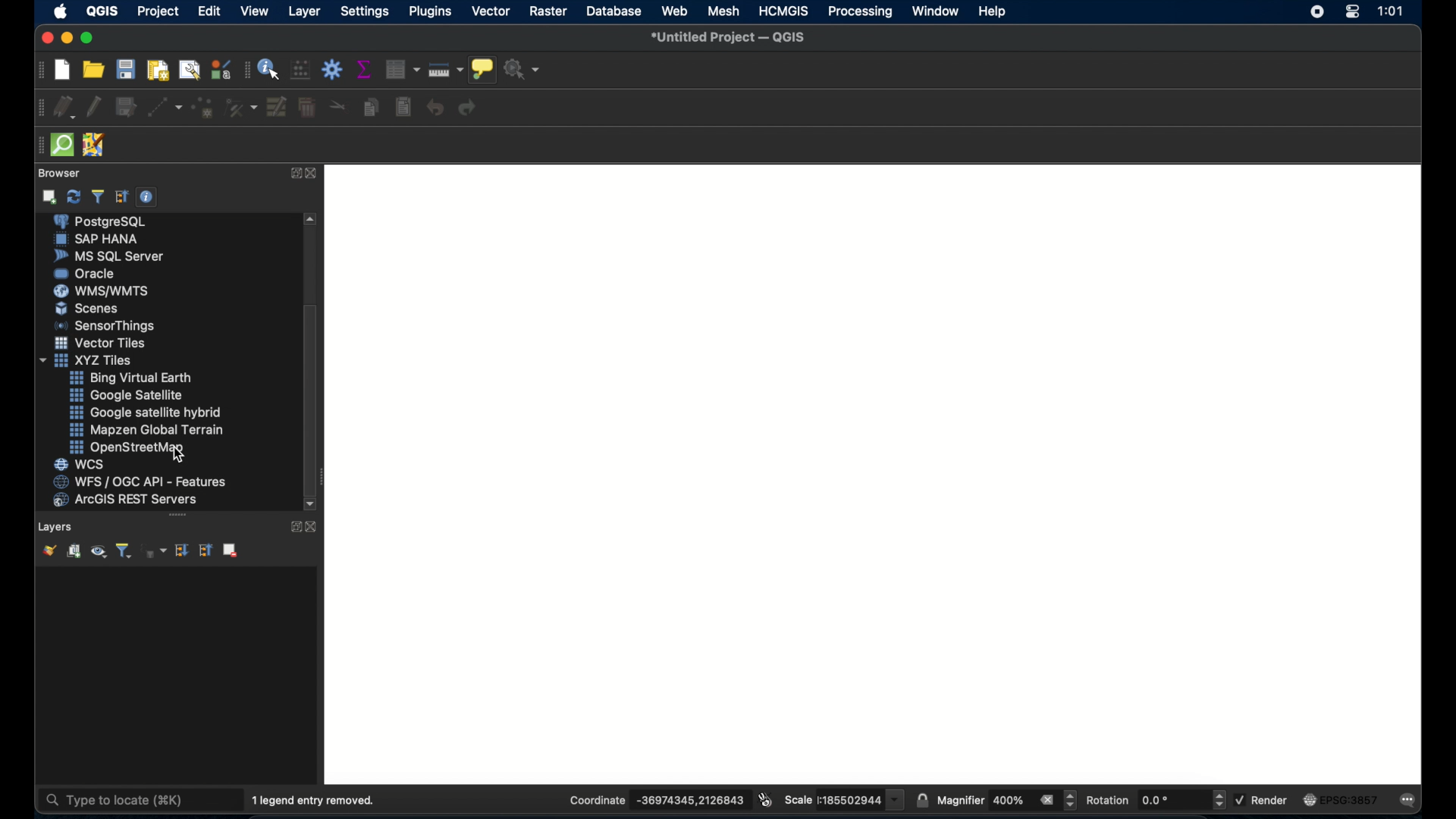  Describe the element at coordinates (313, 505) in the screenshot. I see `scroll down arrow` at that location.